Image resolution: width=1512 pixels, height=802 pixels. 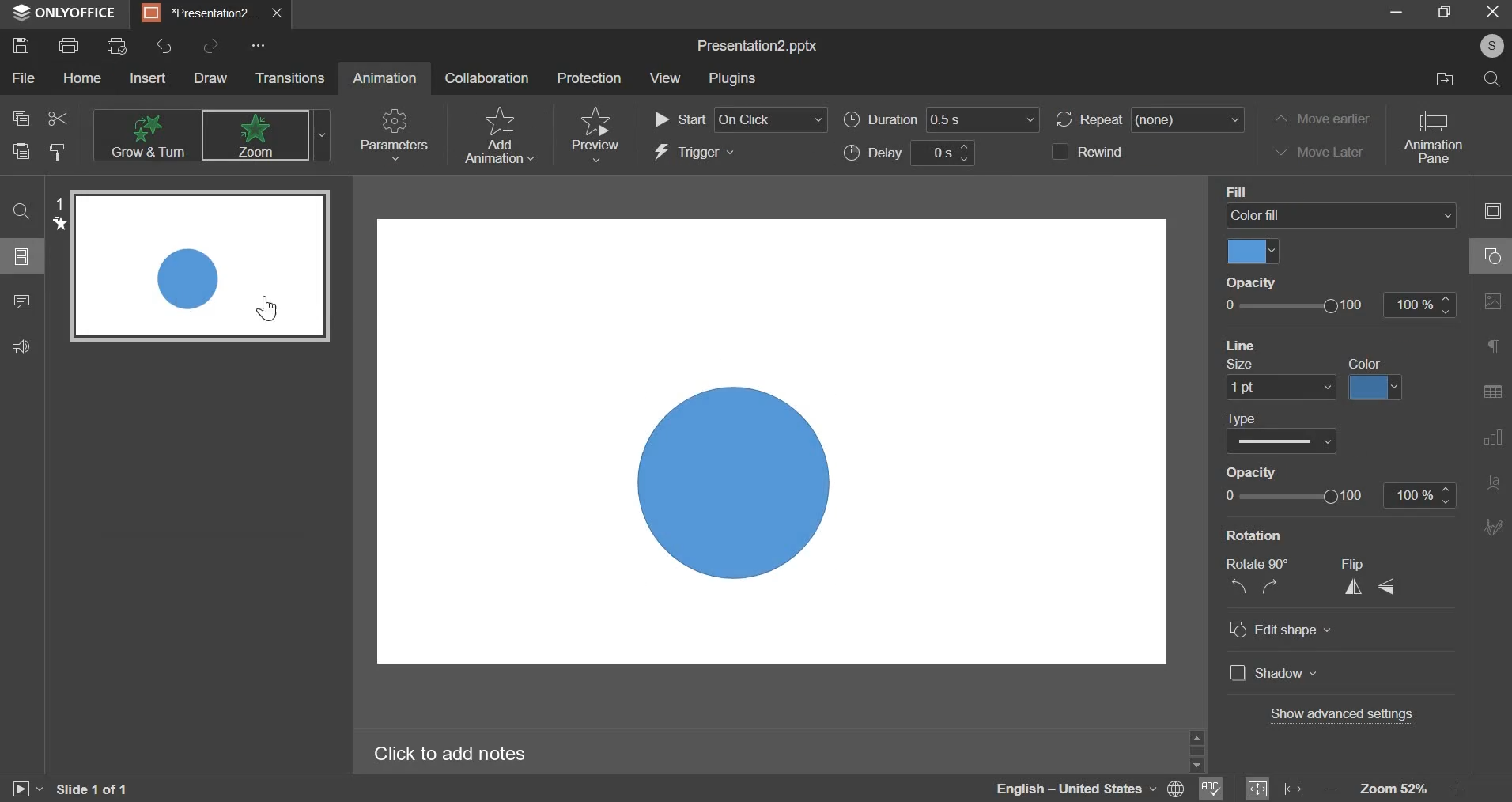 I want to click on 1, so click(x=52, y=214).